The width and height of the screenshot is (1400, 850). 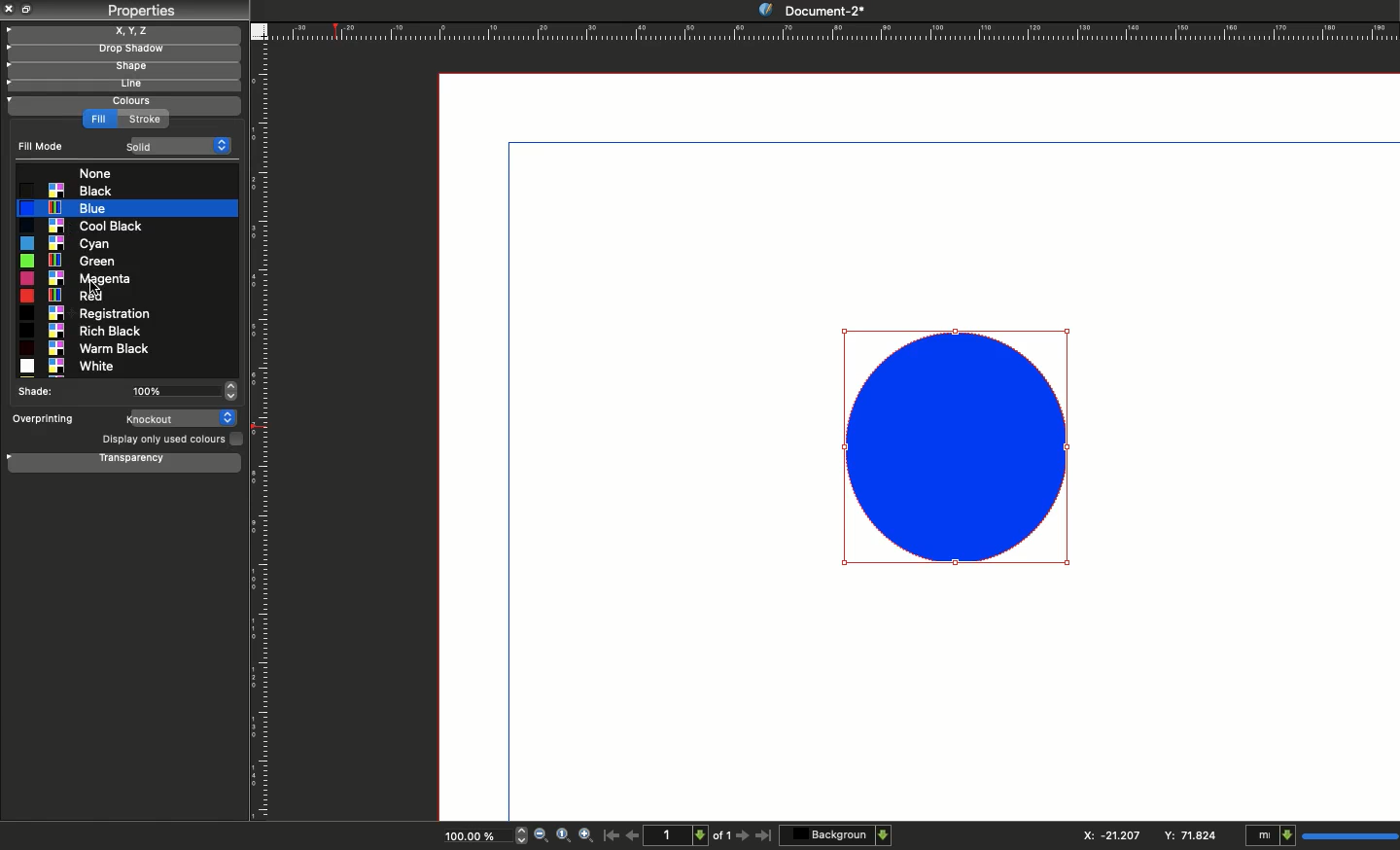 What do you see at coordinates (122, 69) in the screenshot?
I see `Shape` at bounding box center [122, 69].